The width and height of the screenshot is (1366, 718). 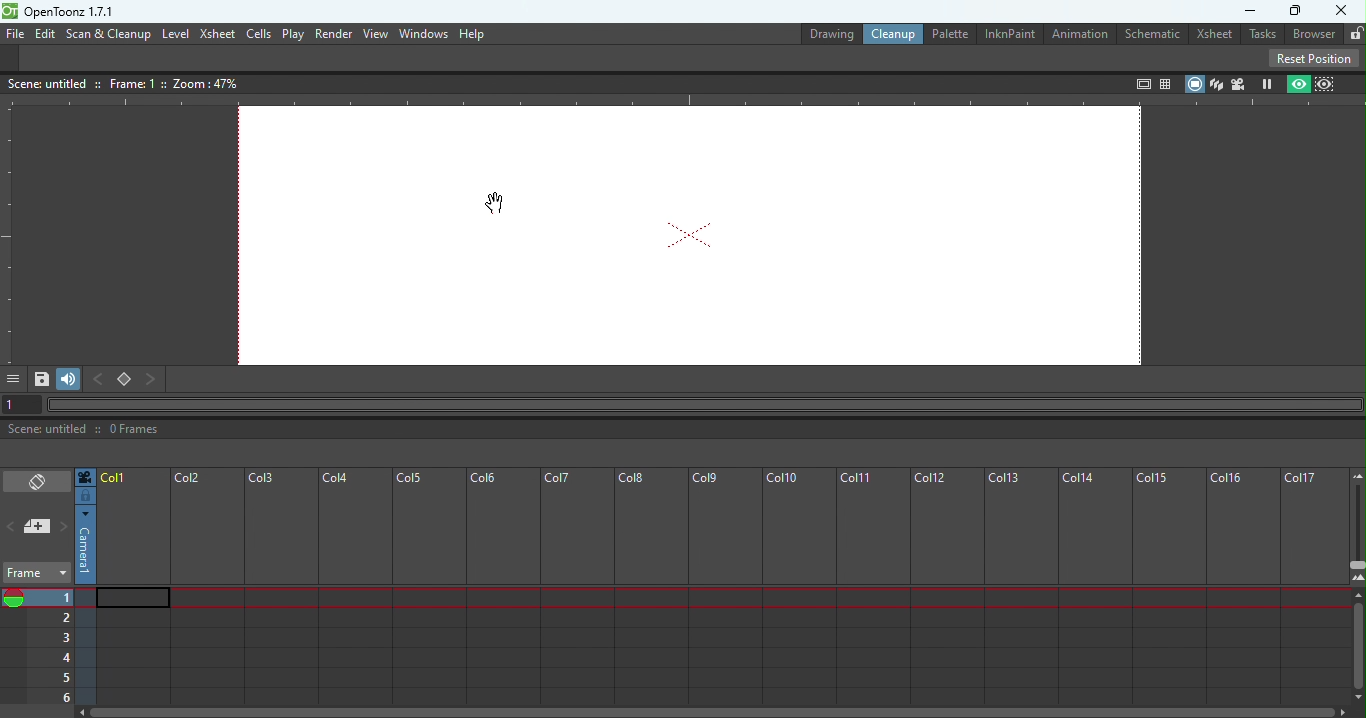 I want to click on Camera stand view, so click(x=1193, y=83).